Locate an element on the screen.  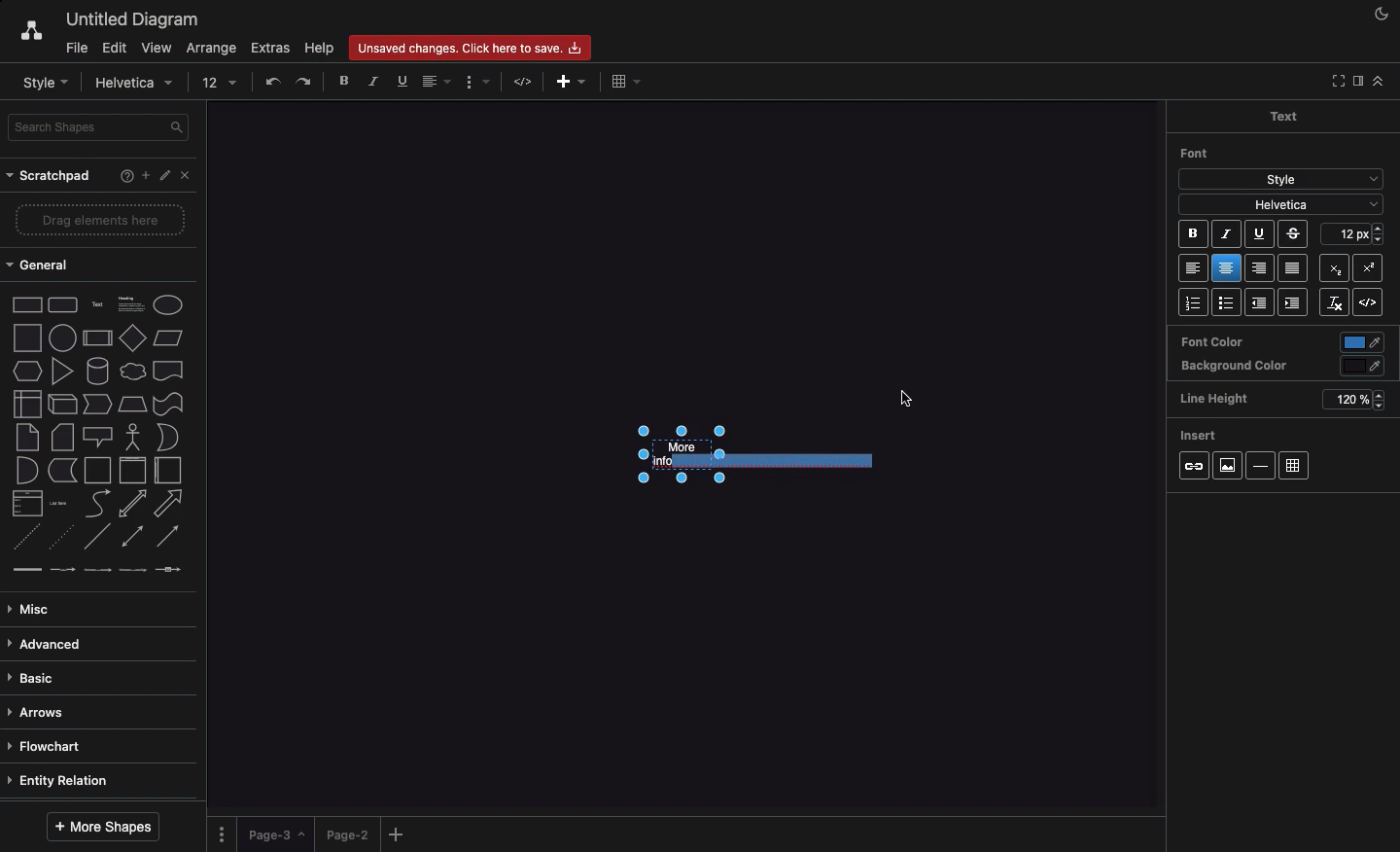
View is located at coordinates (155, 45).